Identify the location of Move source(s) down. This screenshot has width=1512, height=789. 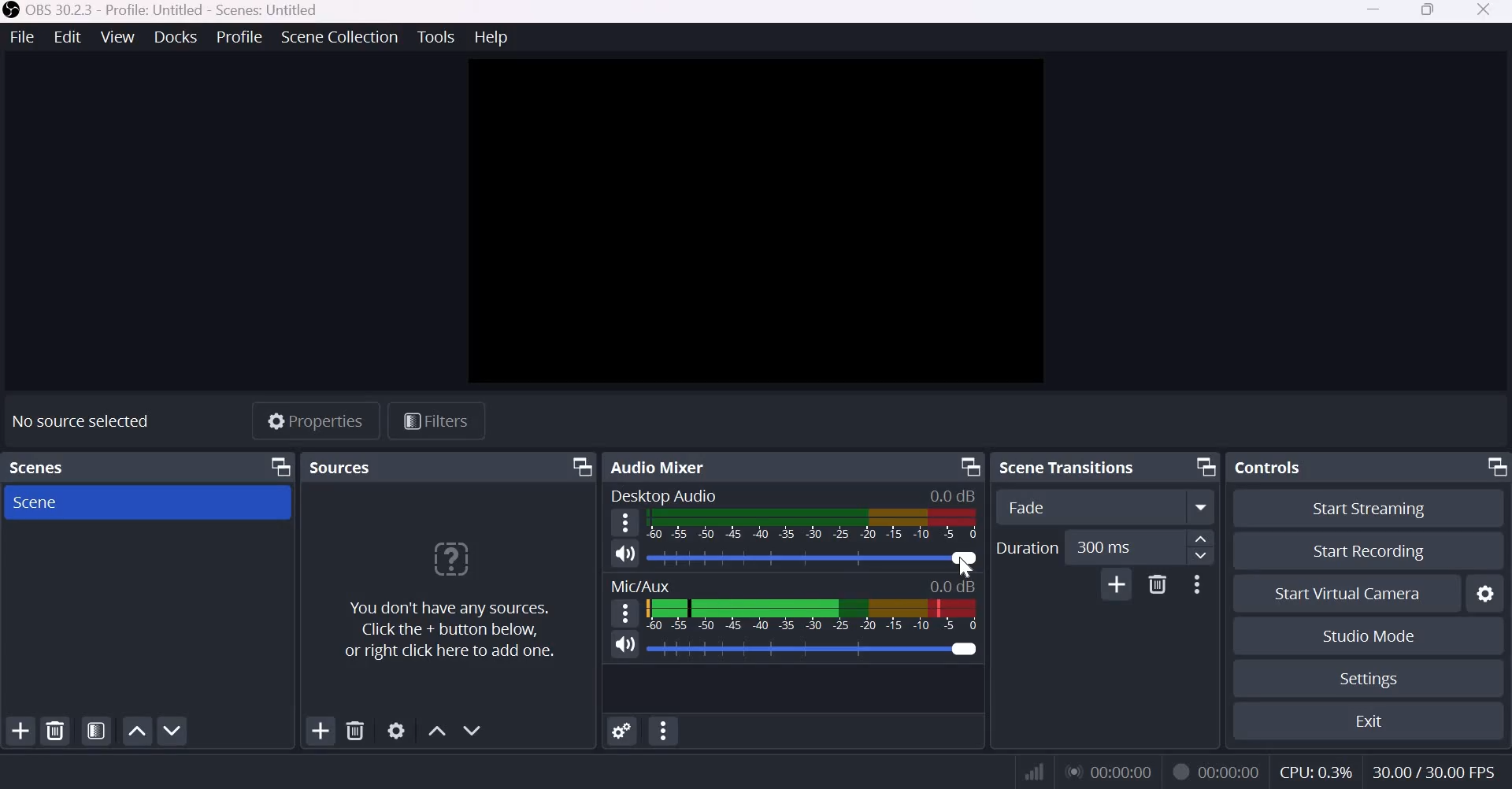
(472, 728).